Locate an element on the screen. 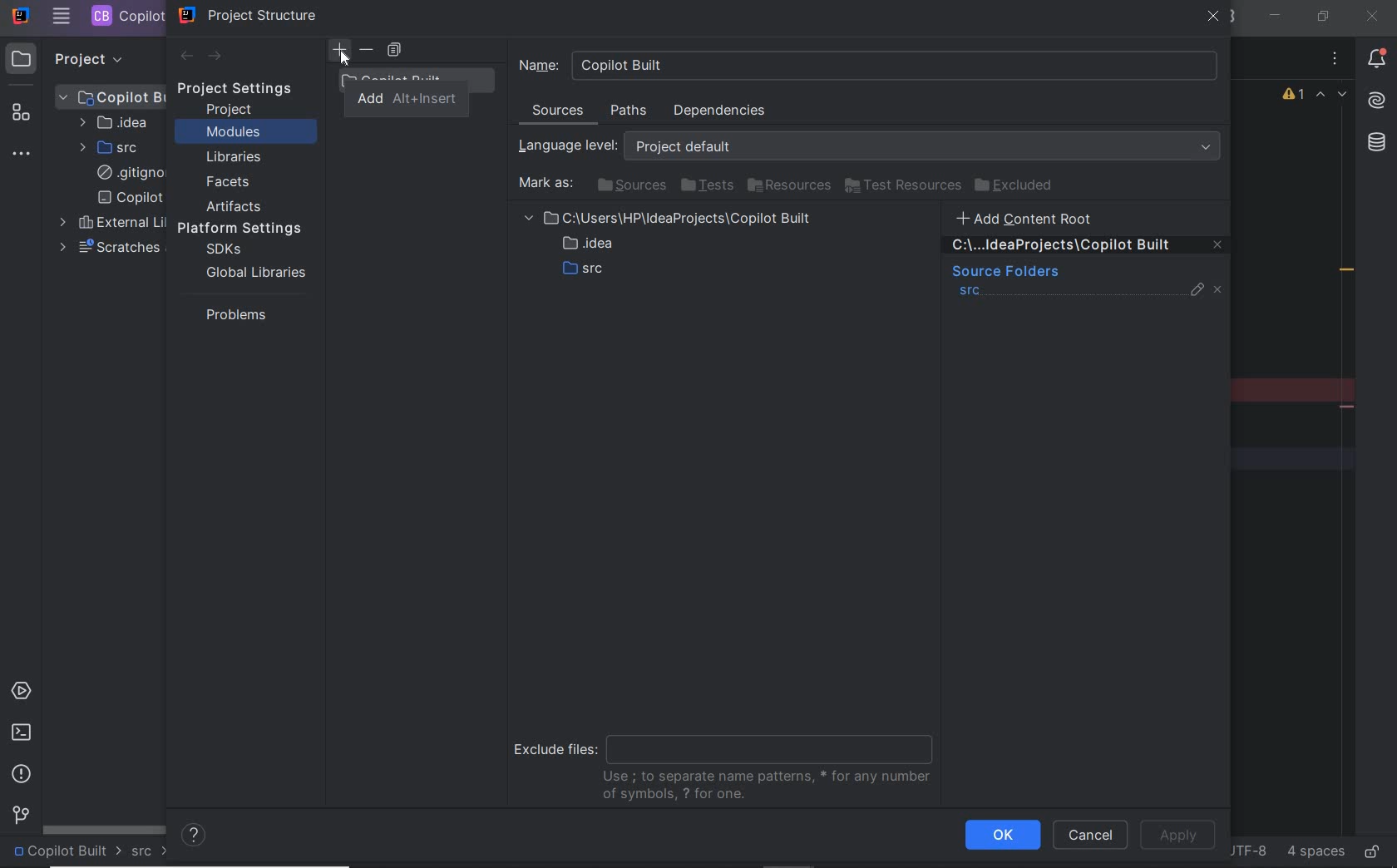 The height and width of the screenshot is (868, 1397). tests is located at coordinates (707, 186).